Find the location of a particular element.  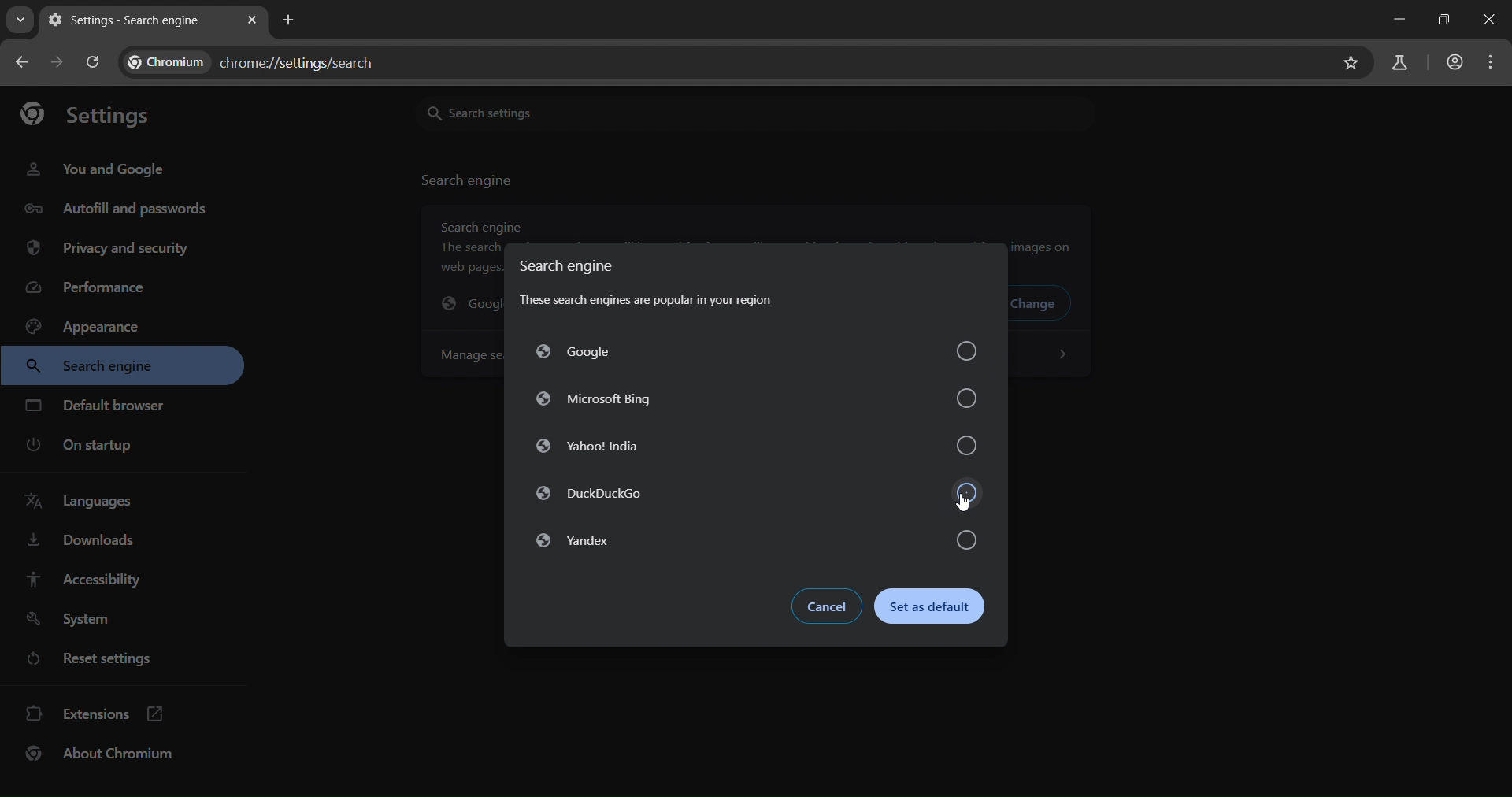

on startup is located at coordinates (81, 446).